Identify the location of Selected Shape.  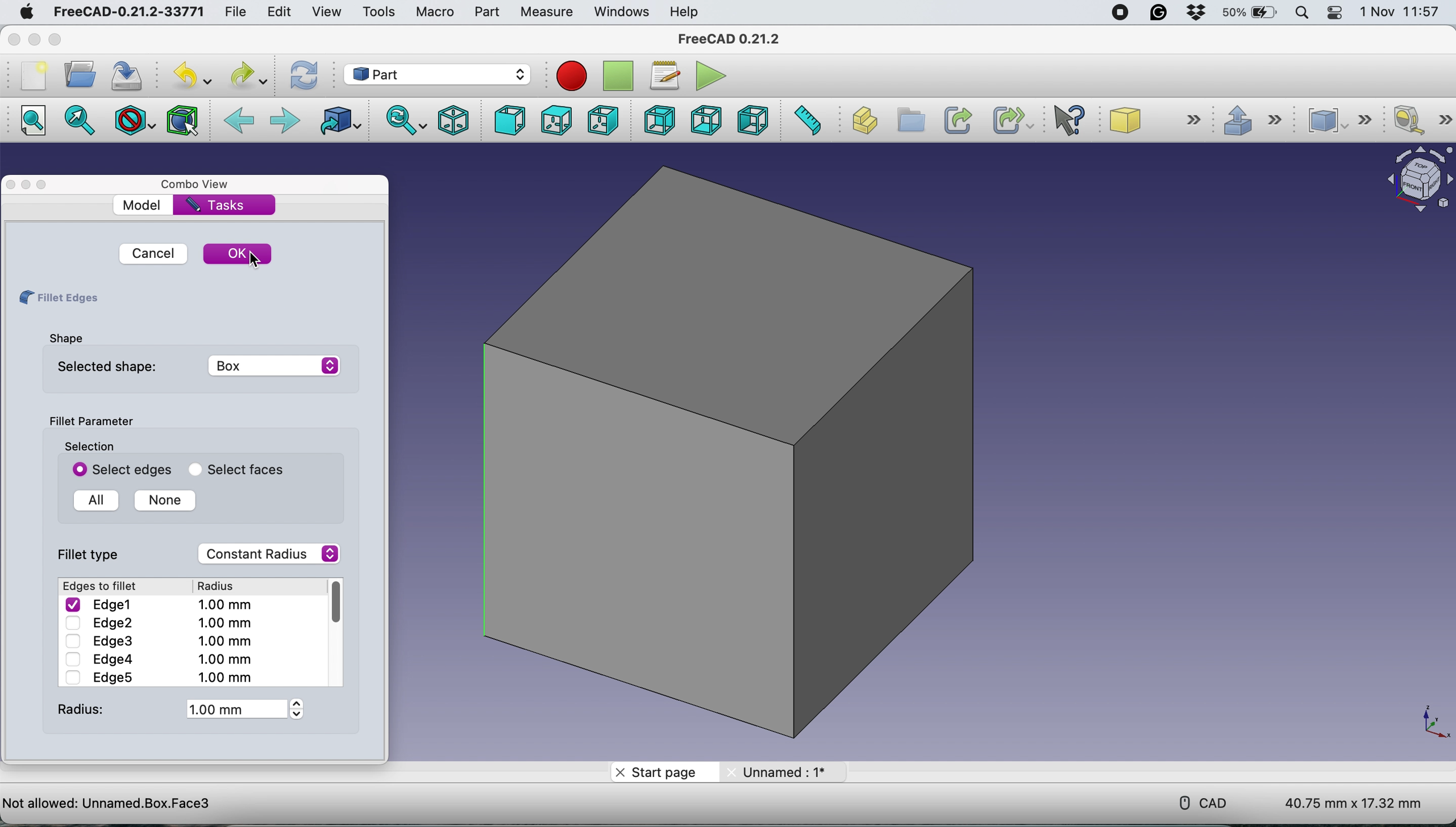
(194, 366).